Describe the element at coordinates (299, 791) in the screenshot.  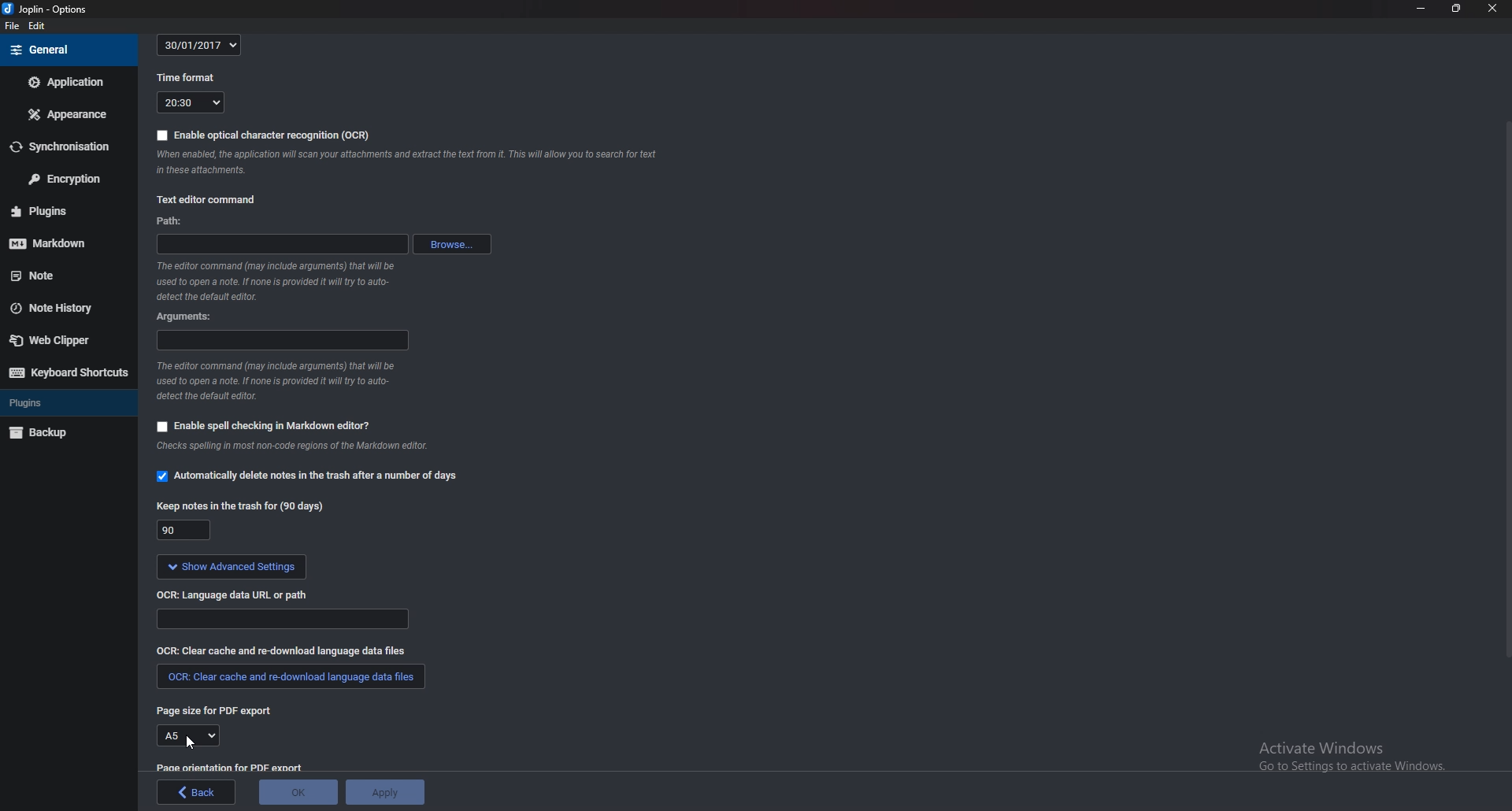
I see `ok` at that location.